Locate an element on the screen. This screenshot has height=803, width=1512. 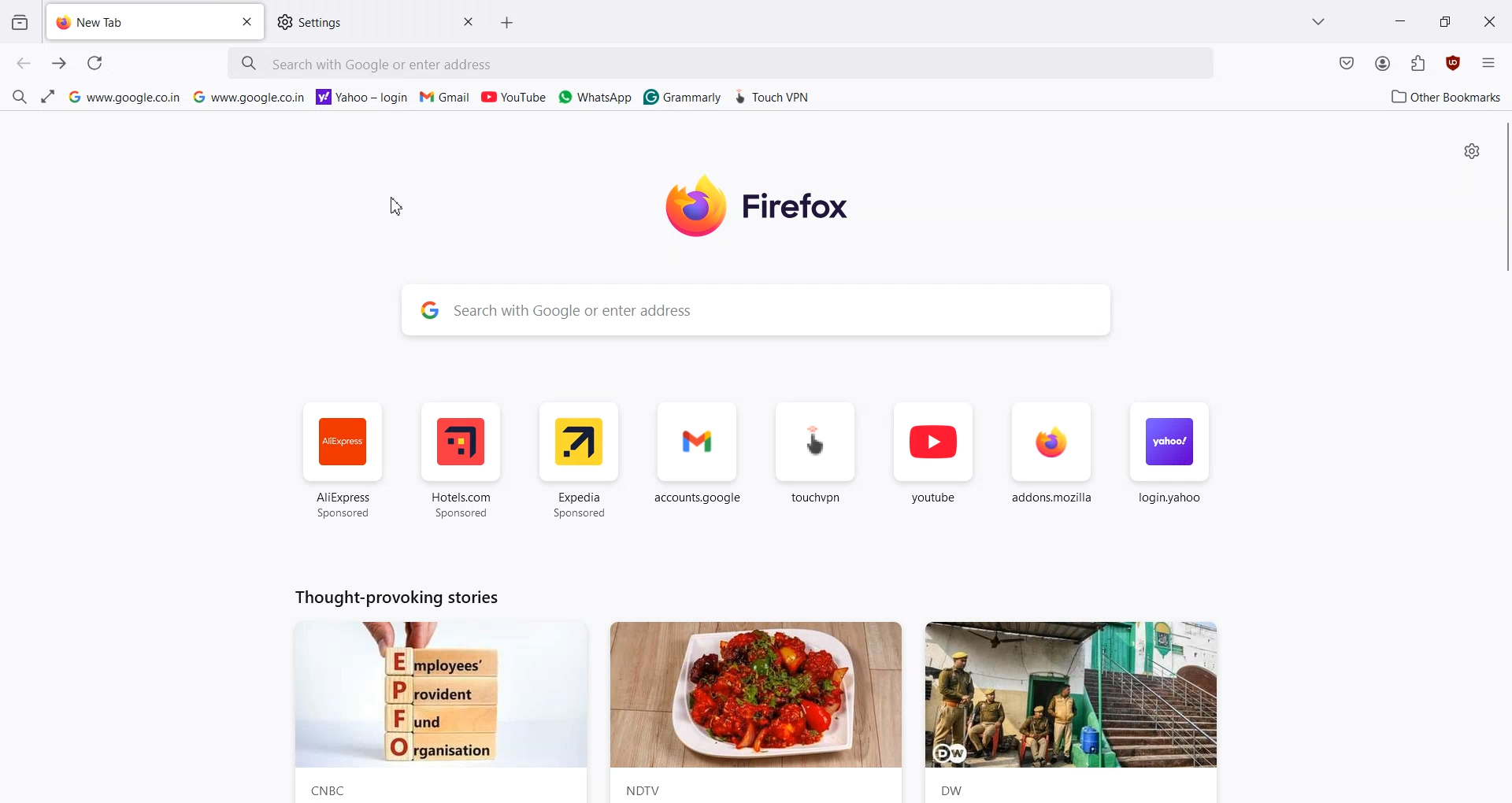
Maximize is located at coordinates (1444, 20).